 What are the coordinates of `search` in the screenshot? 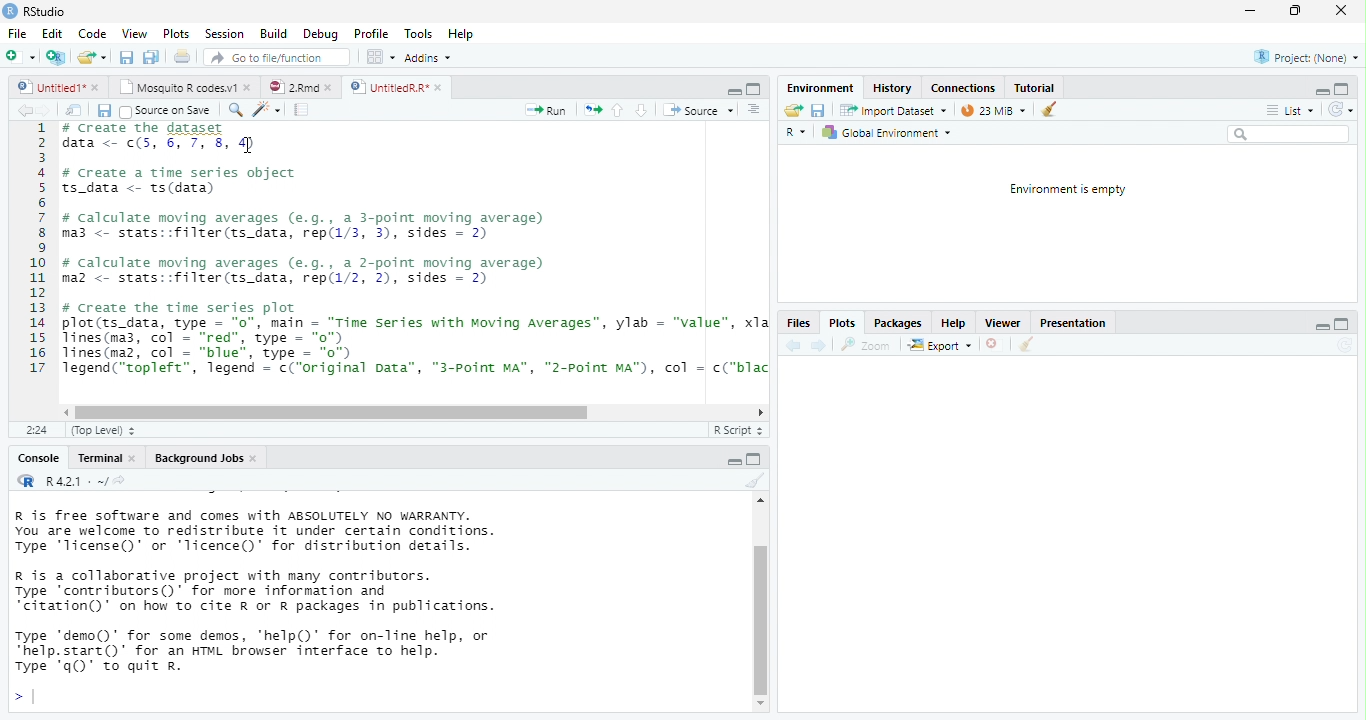 It's located at (233, 110).